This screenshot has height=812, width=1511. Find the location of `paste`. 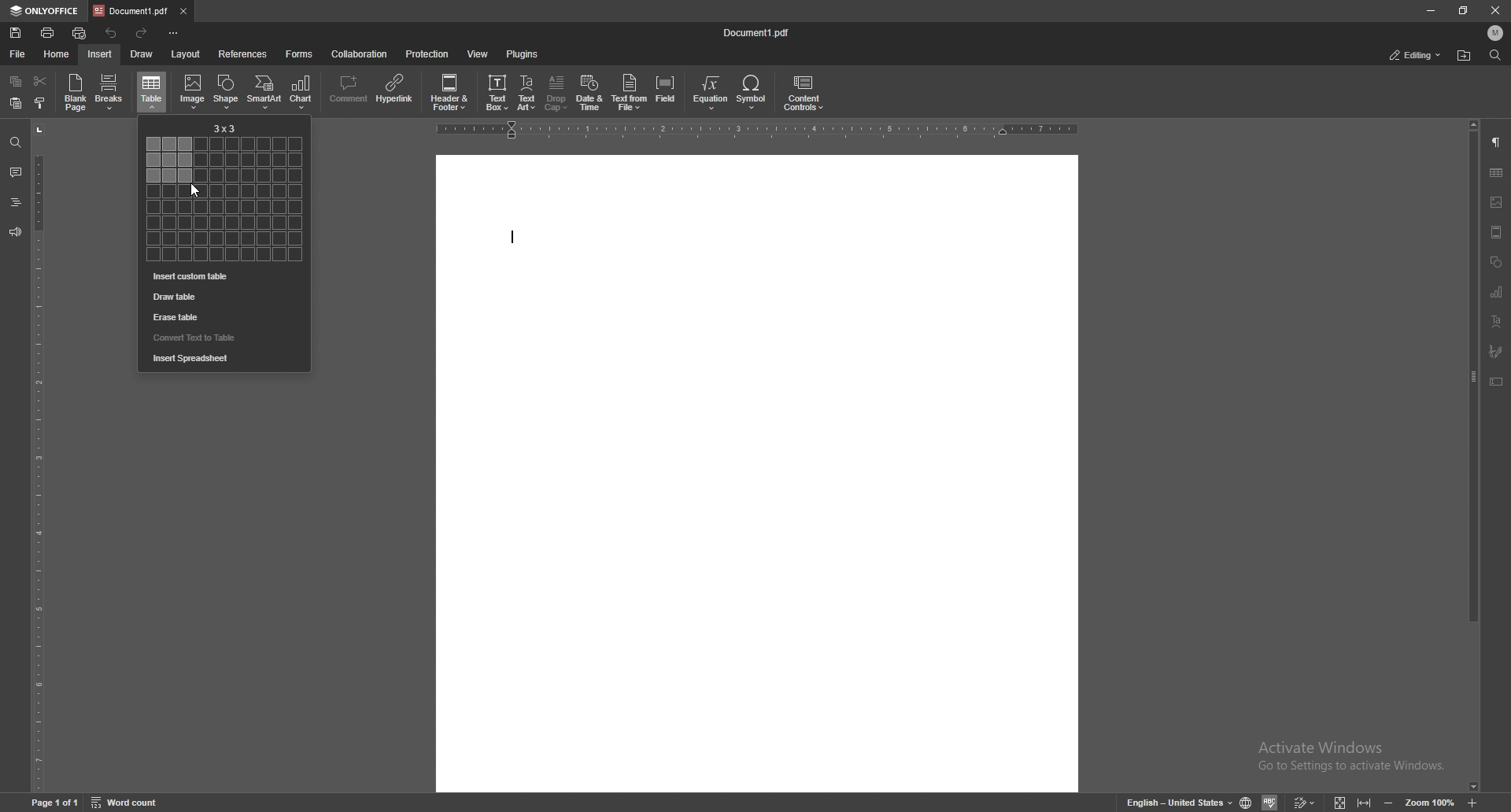

paste is located at coordinates (16, 103).